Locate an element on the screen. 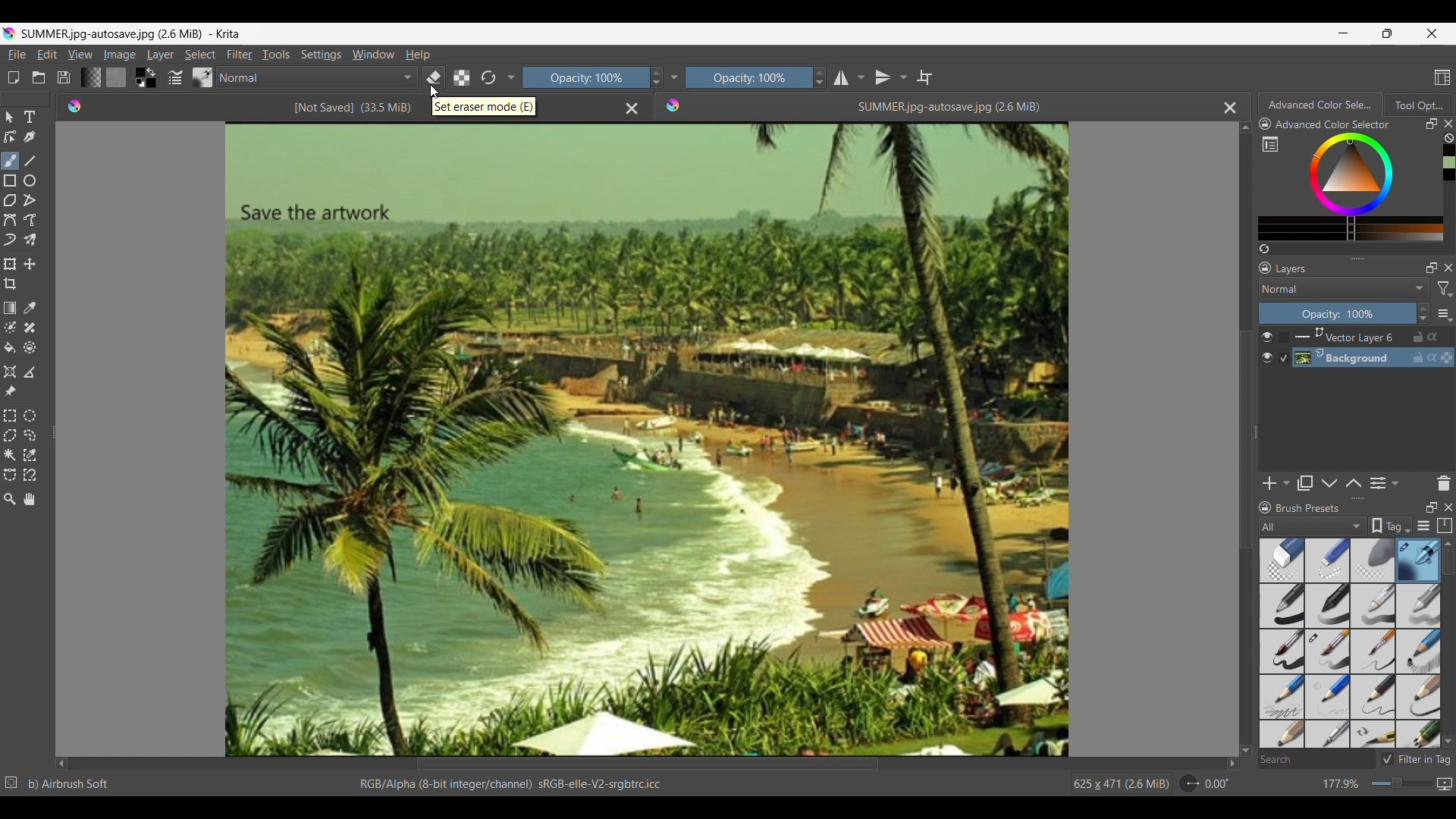  Float panel is located at coordinates (1429, 508).